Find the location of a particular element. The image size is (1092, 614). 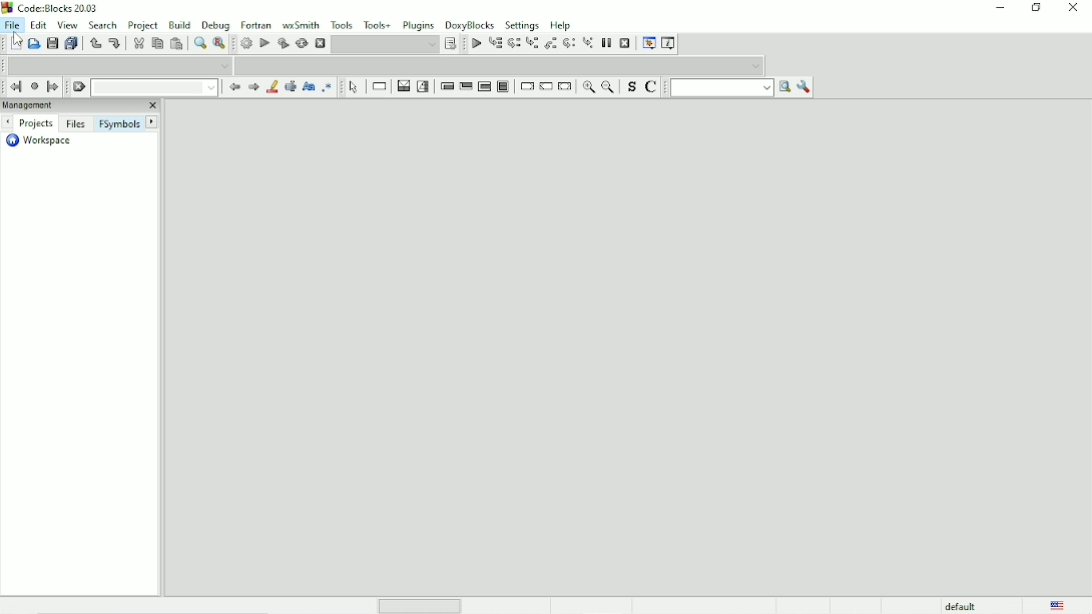

Drop down is located at coordinates (120, 64).